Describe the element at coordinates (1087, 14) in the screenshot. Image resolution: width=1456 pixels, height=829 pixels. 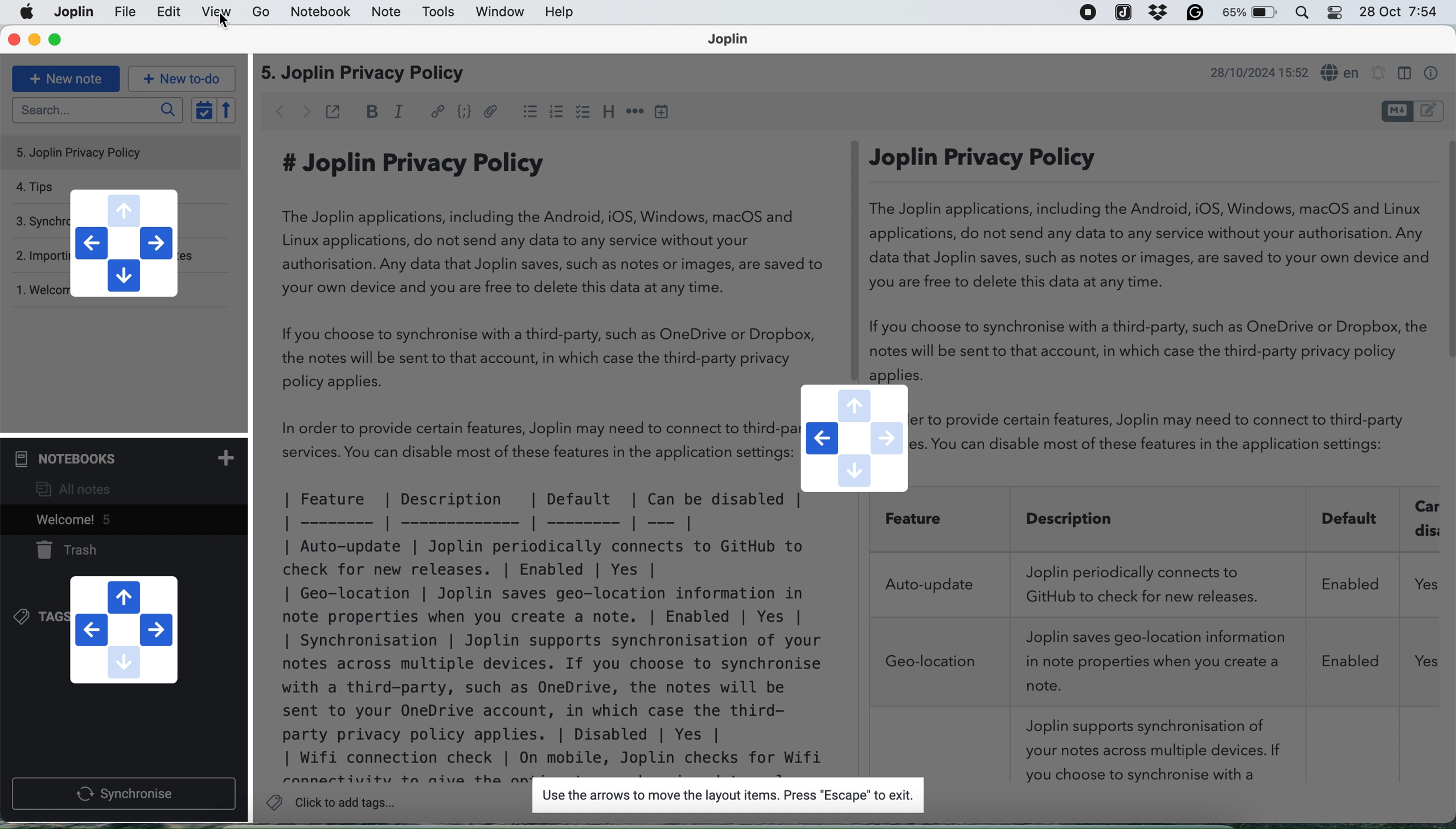
I see `screen recorder` at that location.